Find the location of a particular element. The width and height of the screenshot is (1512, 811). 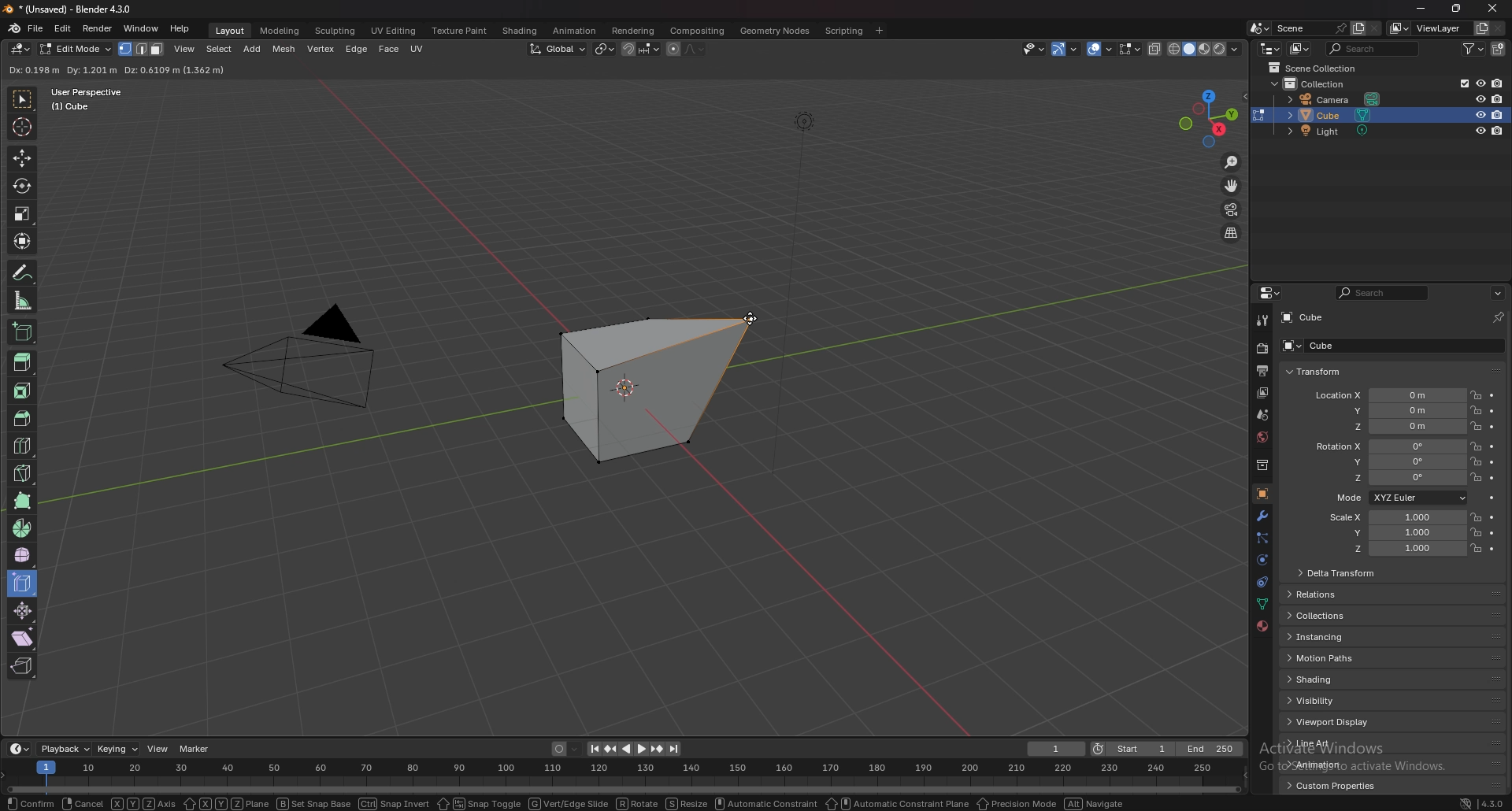

poly build is located at coordinates (23, 501).